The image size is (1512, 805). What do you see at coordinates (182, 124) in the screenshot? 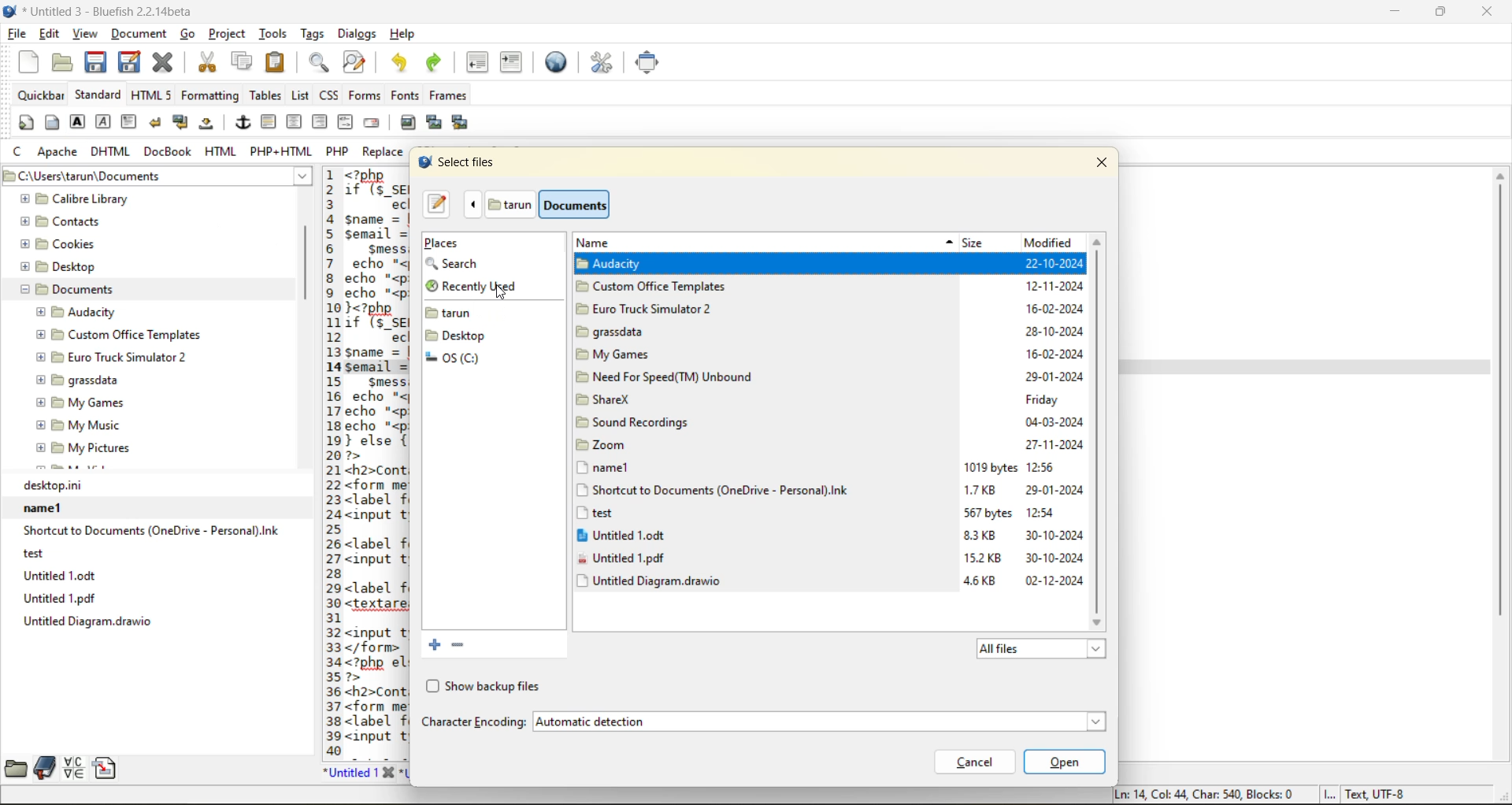
I see `break and clear` at bounding box center [182, 124].